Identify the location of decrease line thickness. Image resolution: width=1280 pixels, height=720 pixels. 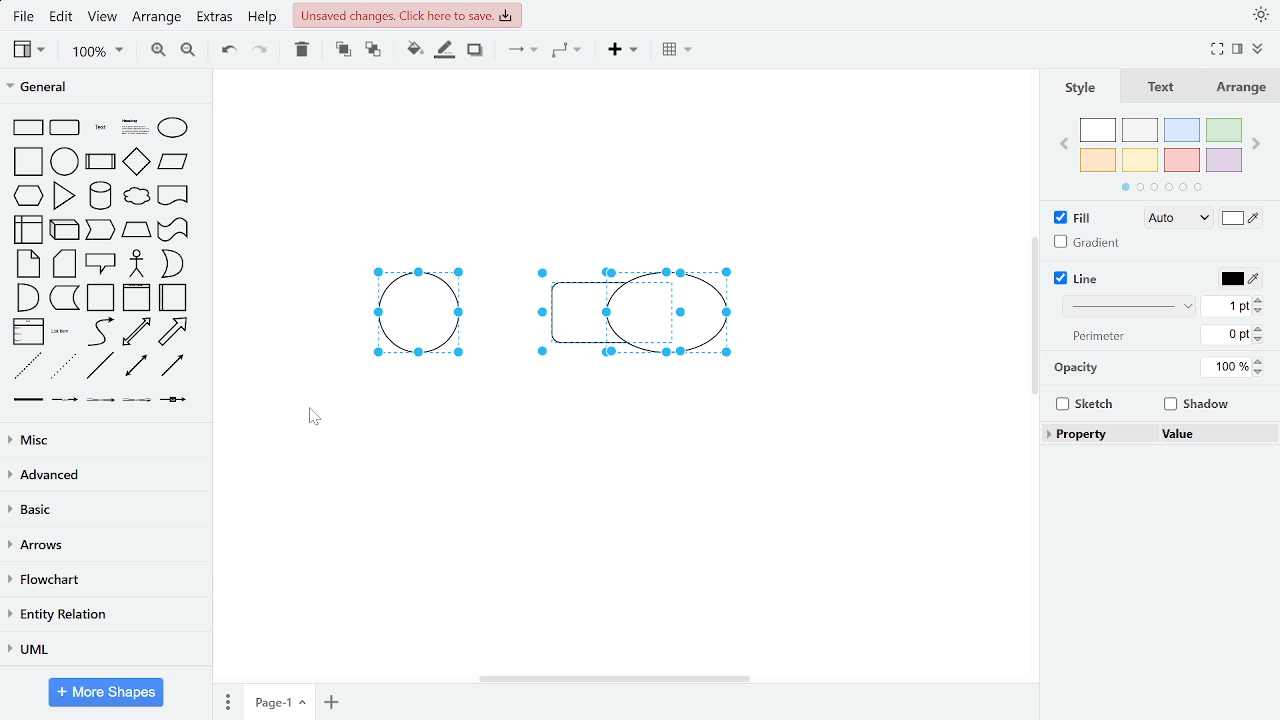
(1259, 311).